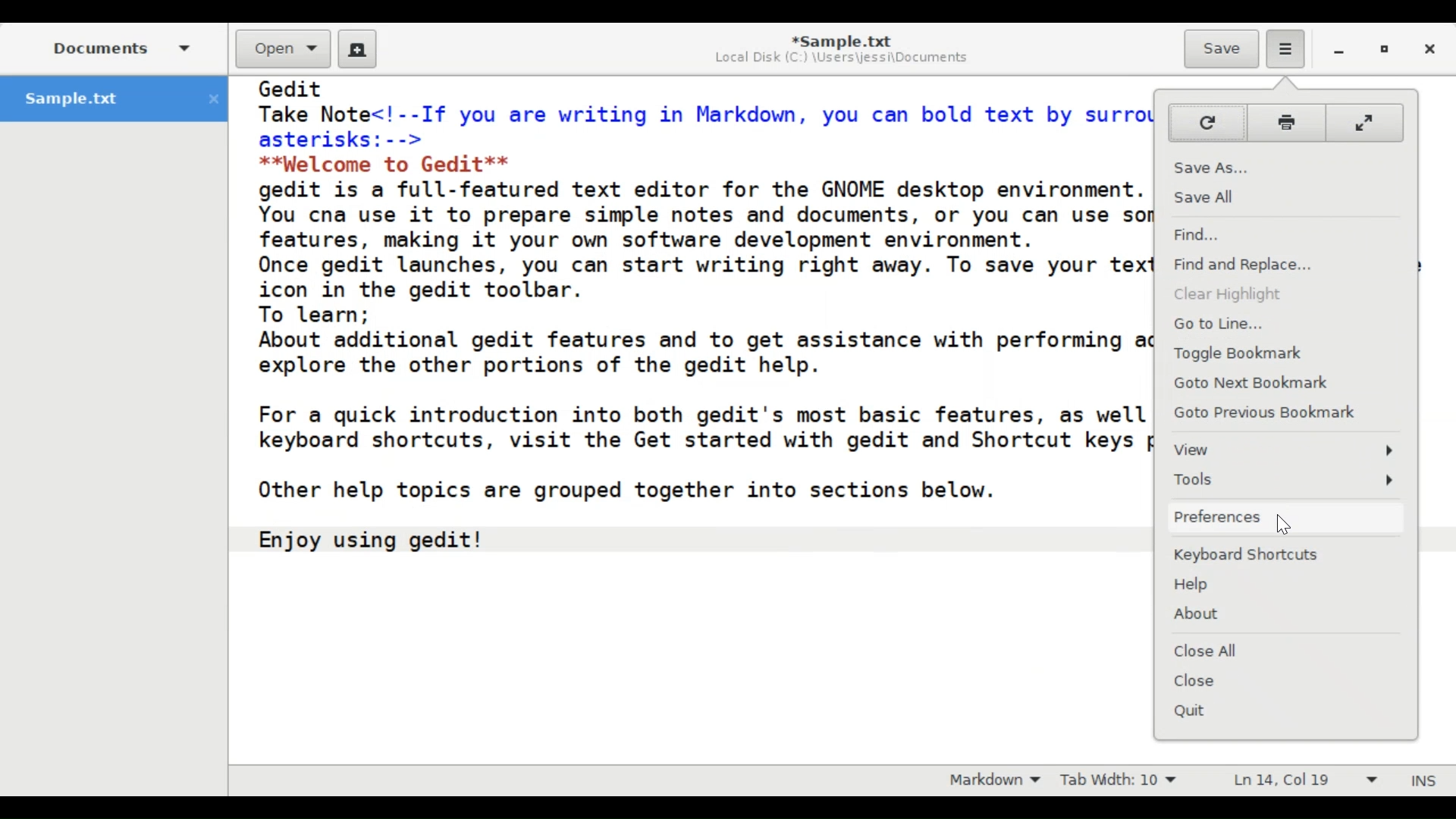  Describe the element at coordinates (1285, 651) in the screenshot. I see `Close All` at that location.